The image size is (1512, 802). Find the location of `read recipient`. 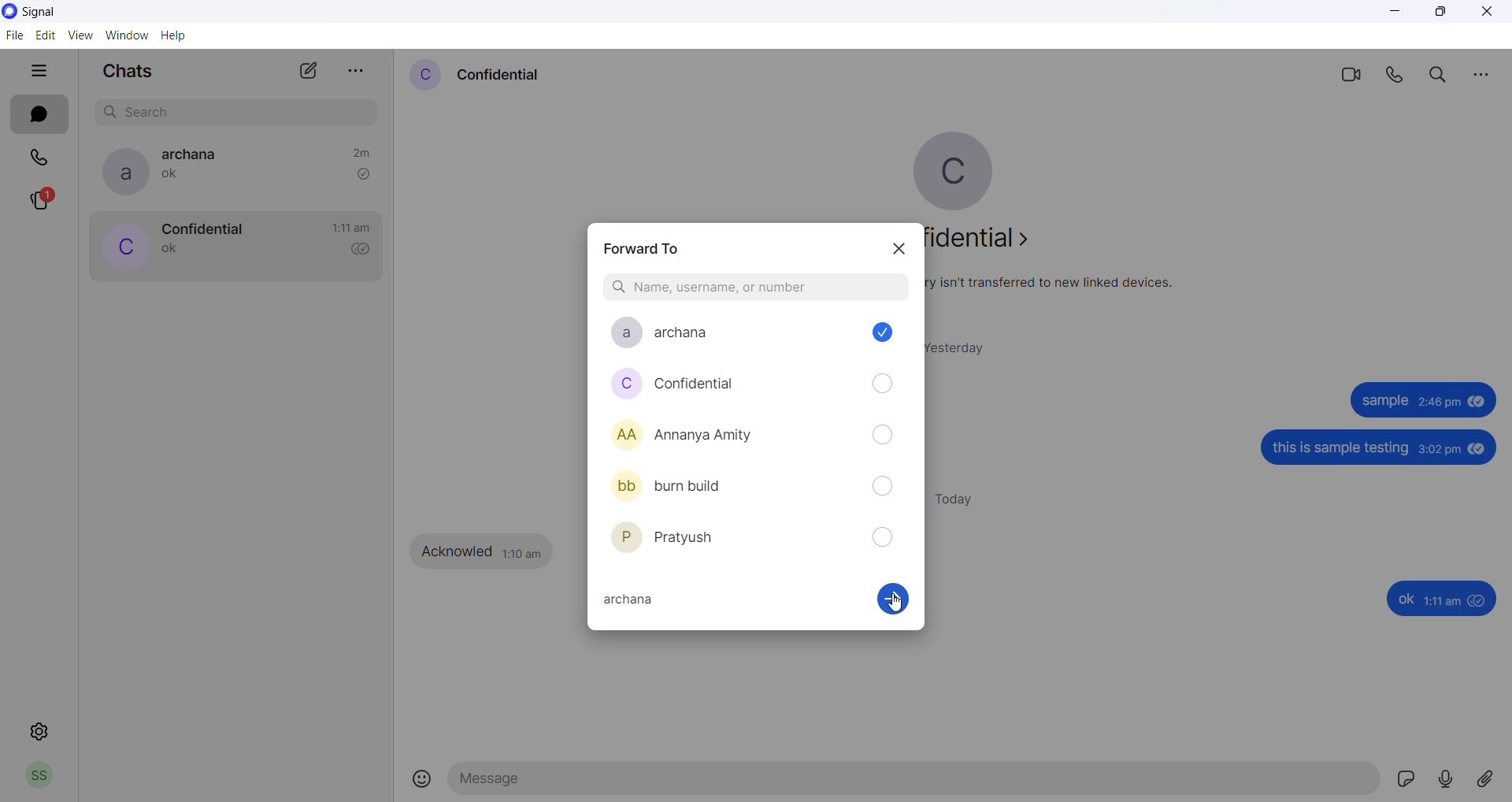

read recipient is located at coordinates (365, 251).